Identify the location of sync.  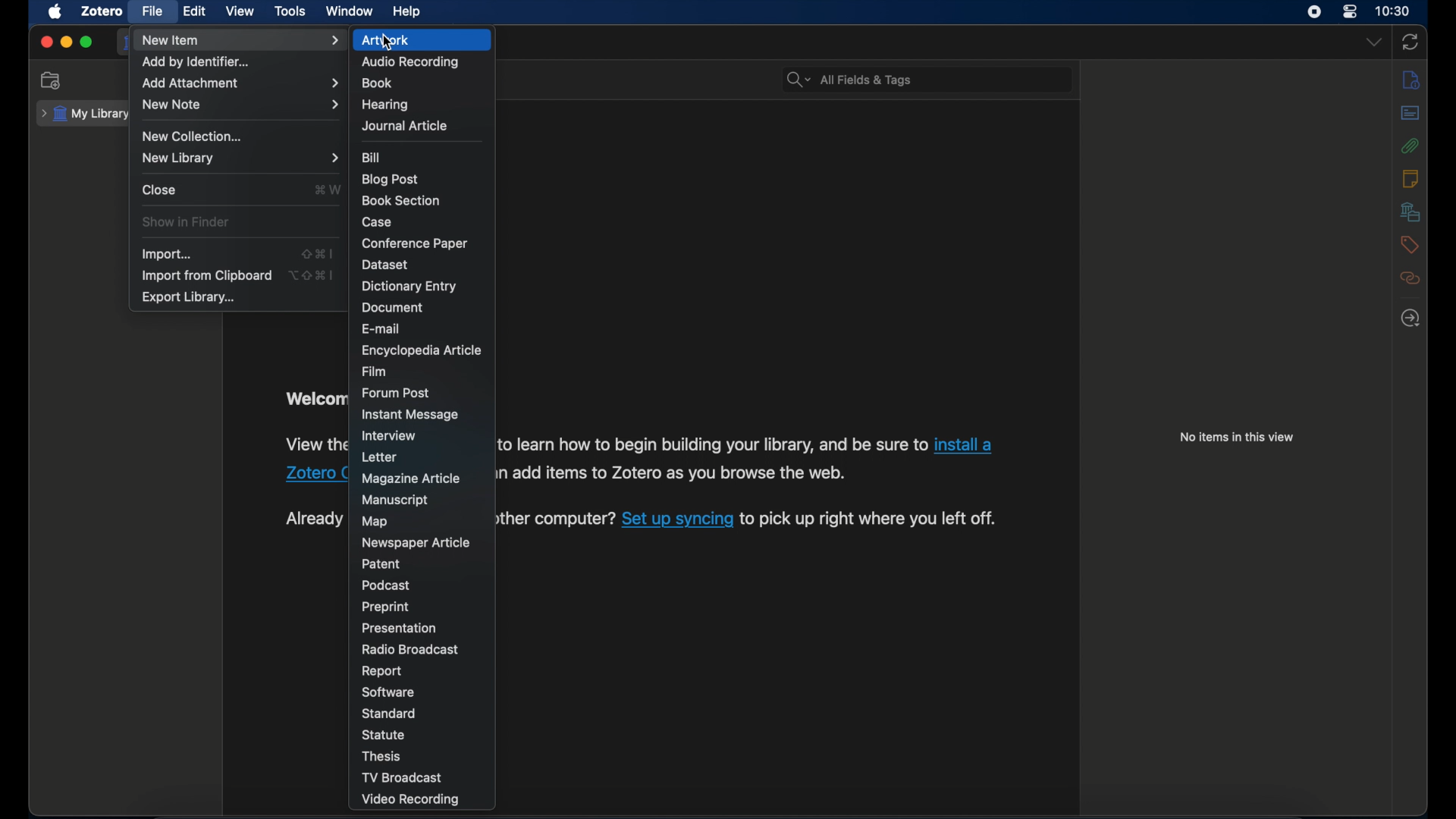
(1411, 42).